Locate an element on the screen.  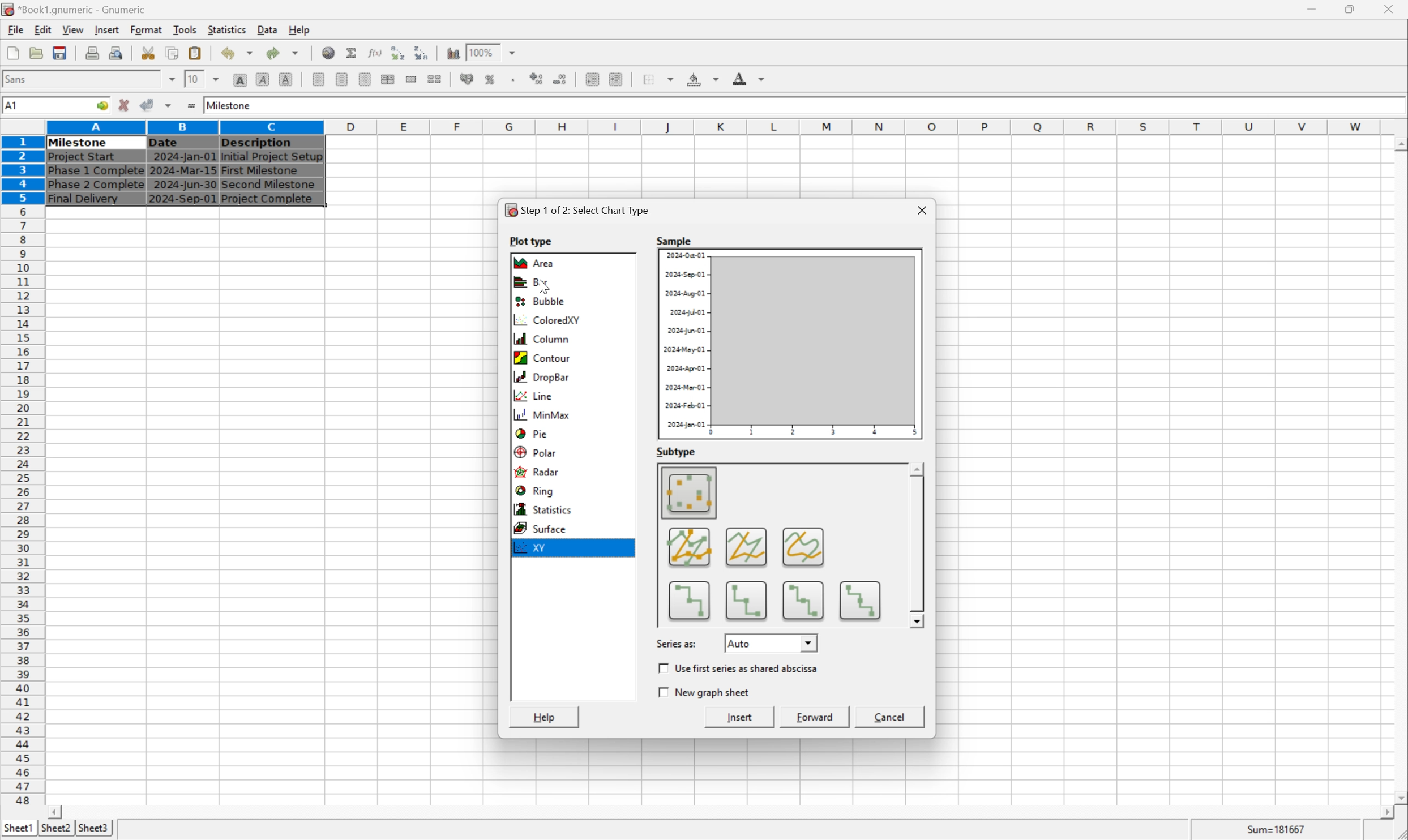
format selection as percentage is located at coordinates (491, 79).